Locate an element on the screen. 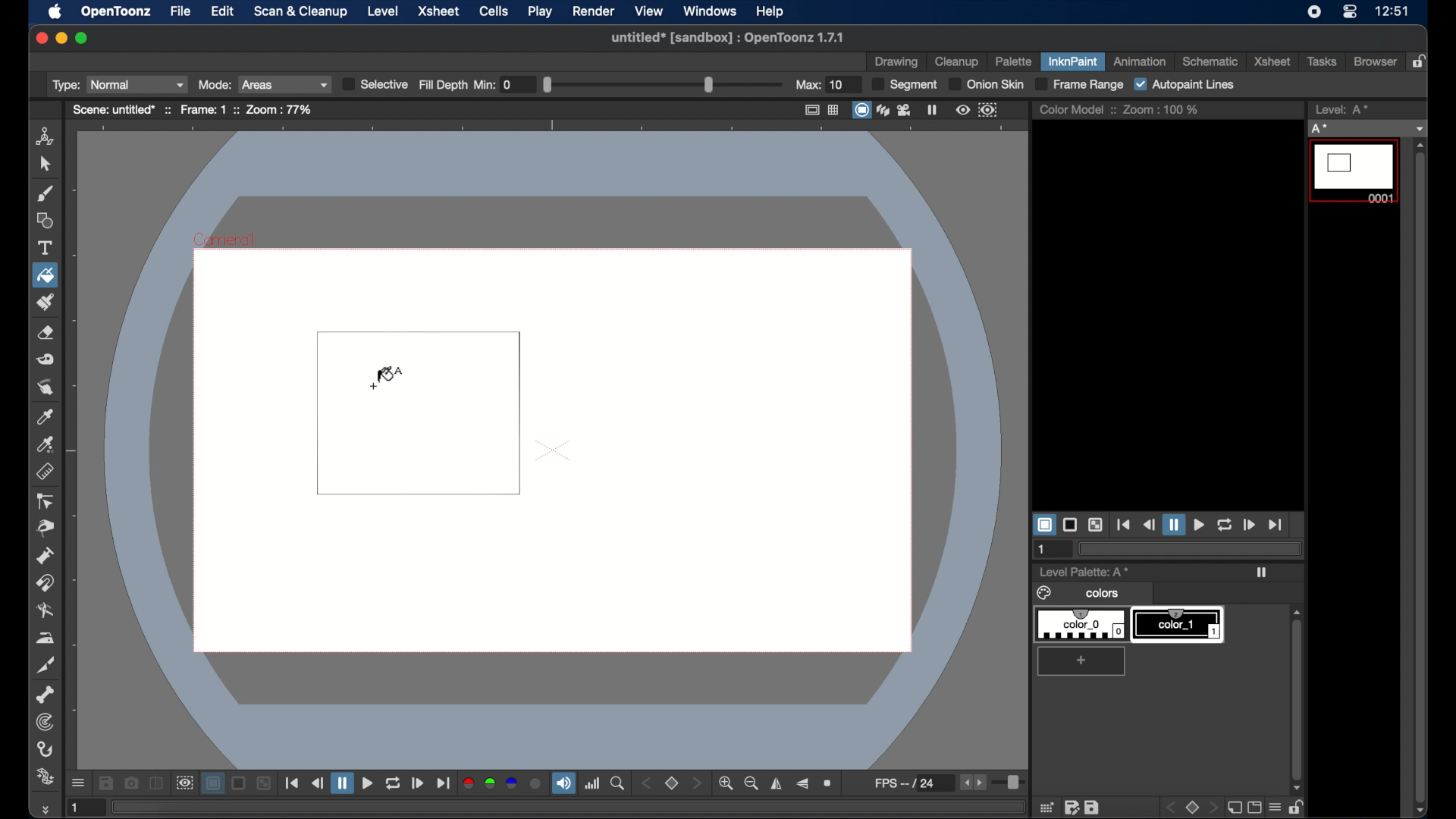 This screenshot has width=1456, height=819. loop is located at coordinates (1224, 525).